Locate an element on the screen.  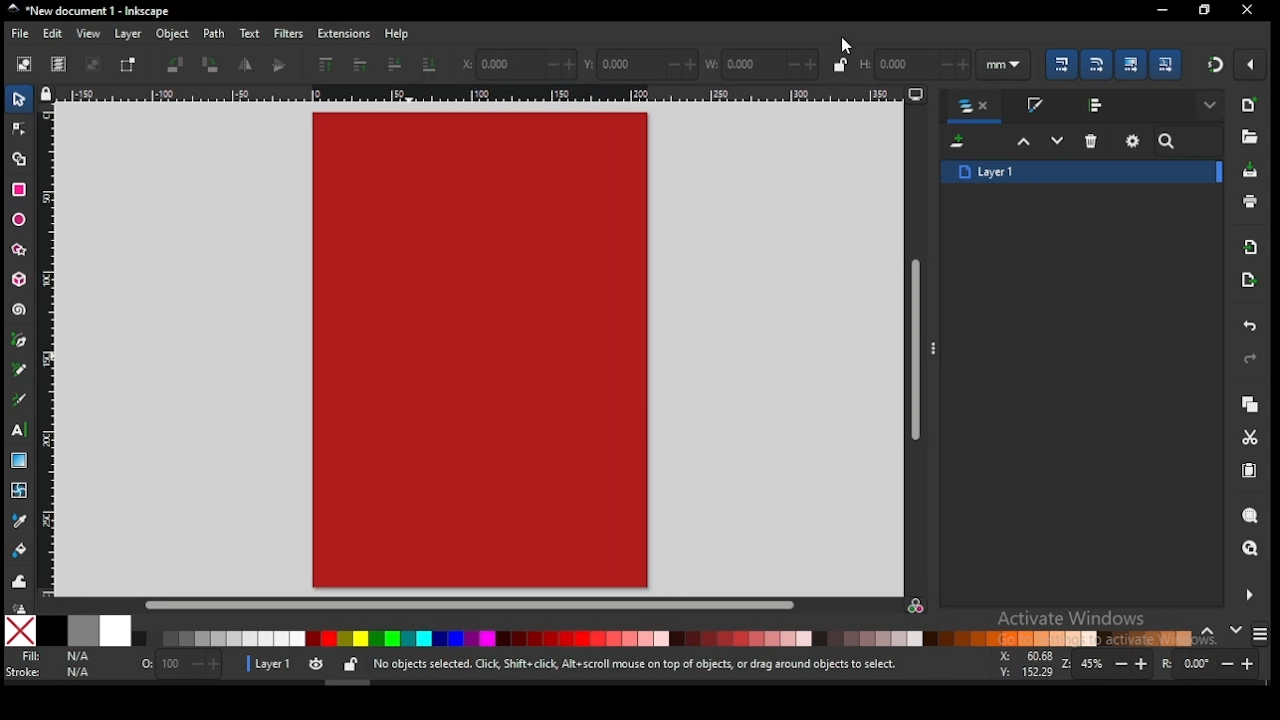
spiral tool is located at coordinates (20, 310).